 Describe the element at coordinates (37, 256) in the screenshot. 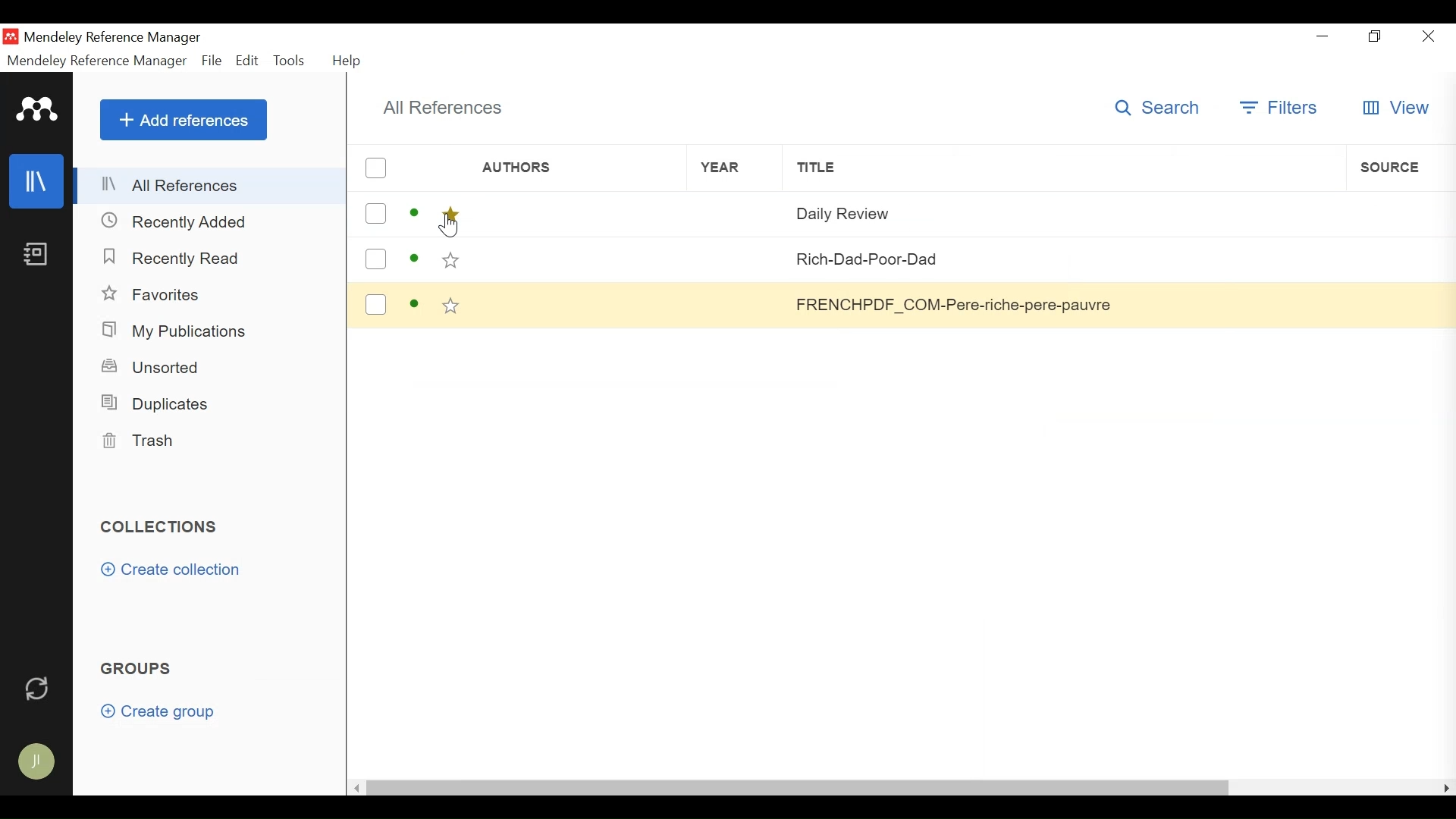

I see `Notebook` at that location.